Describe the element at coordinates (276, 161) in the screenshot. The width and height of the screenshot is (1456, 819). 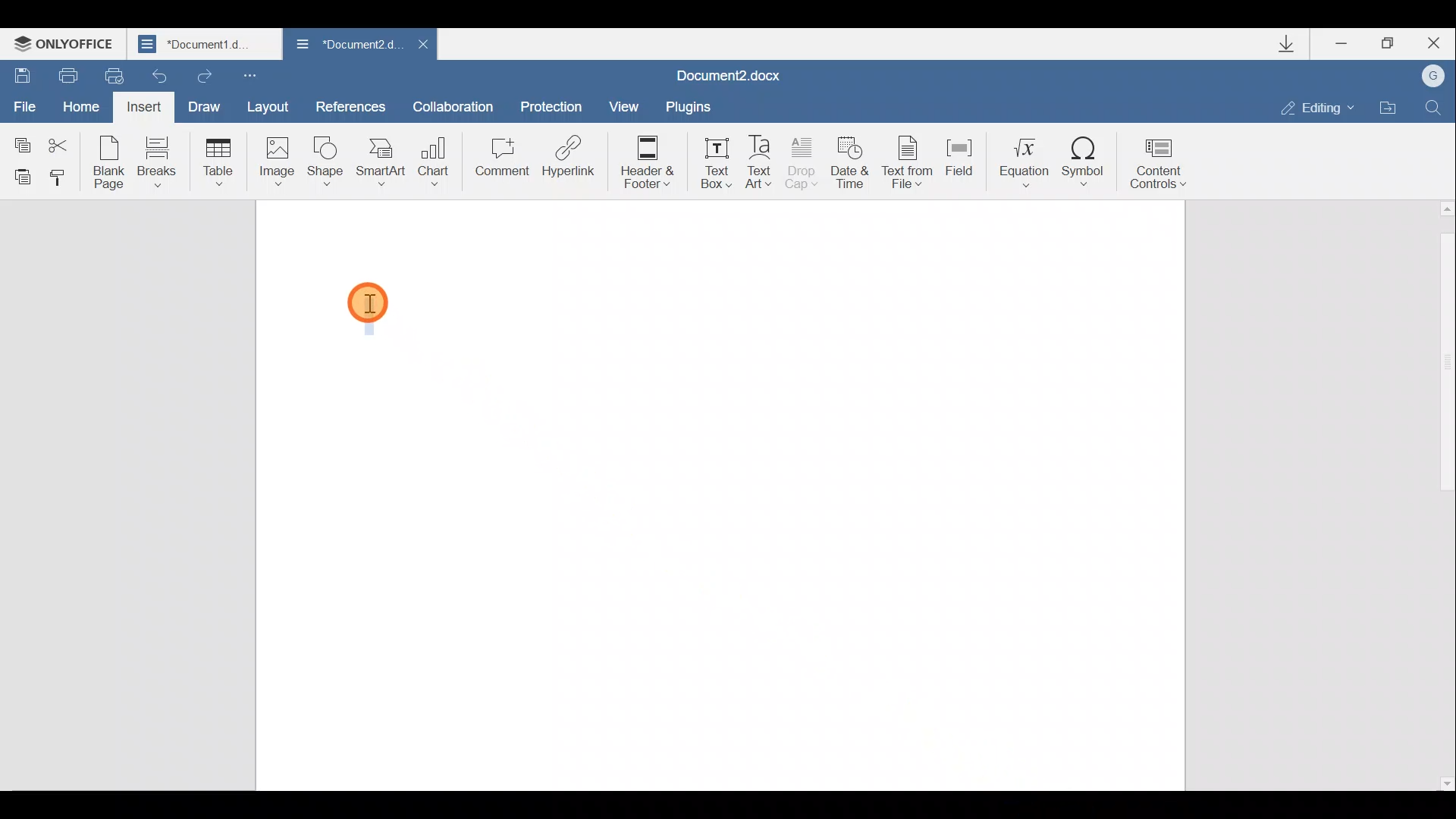
I see `Image` at that location.